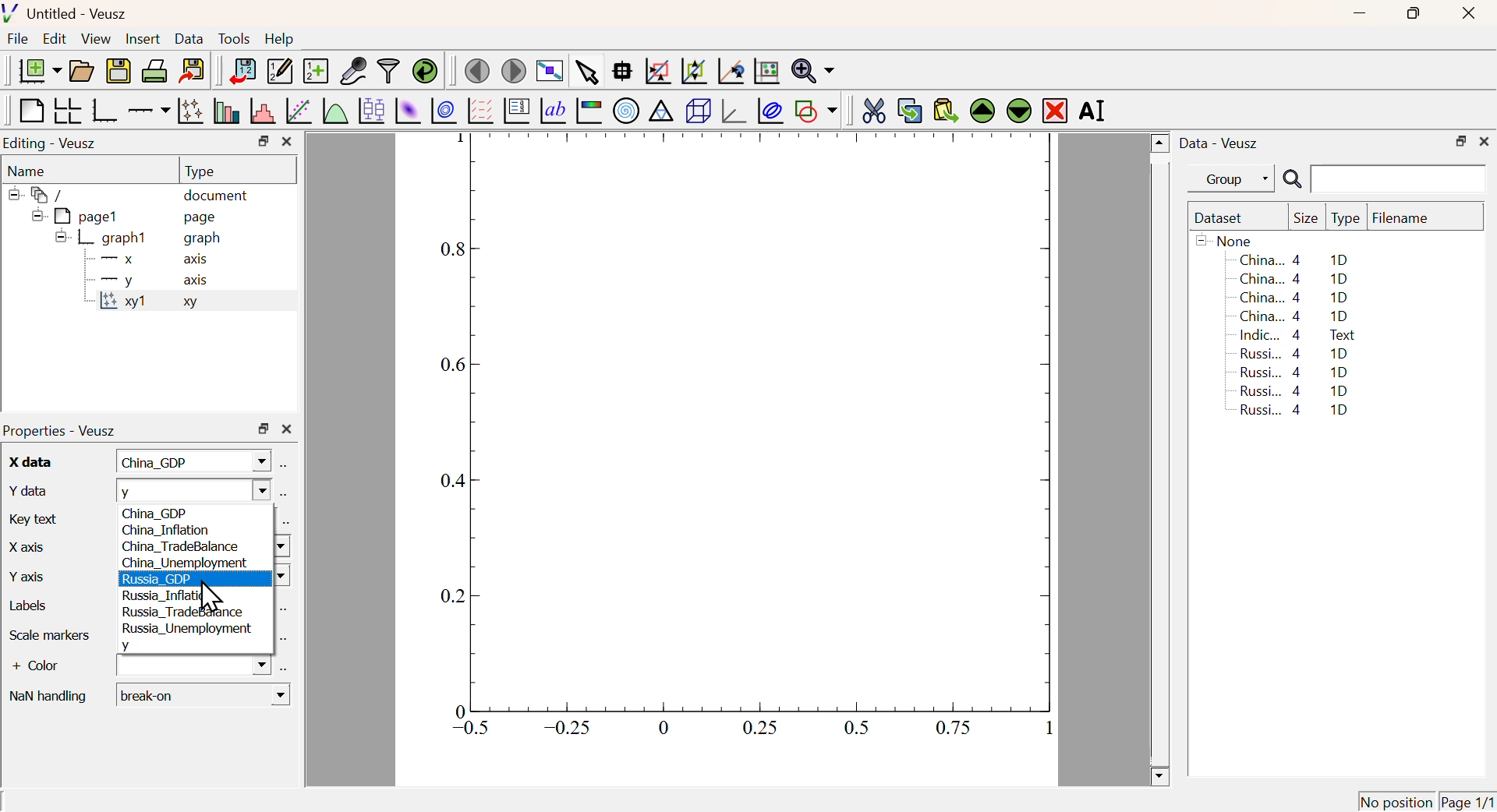  Describe the element at coordinates (103, 110) in the screenshot. I see `Base Graph` at that location.